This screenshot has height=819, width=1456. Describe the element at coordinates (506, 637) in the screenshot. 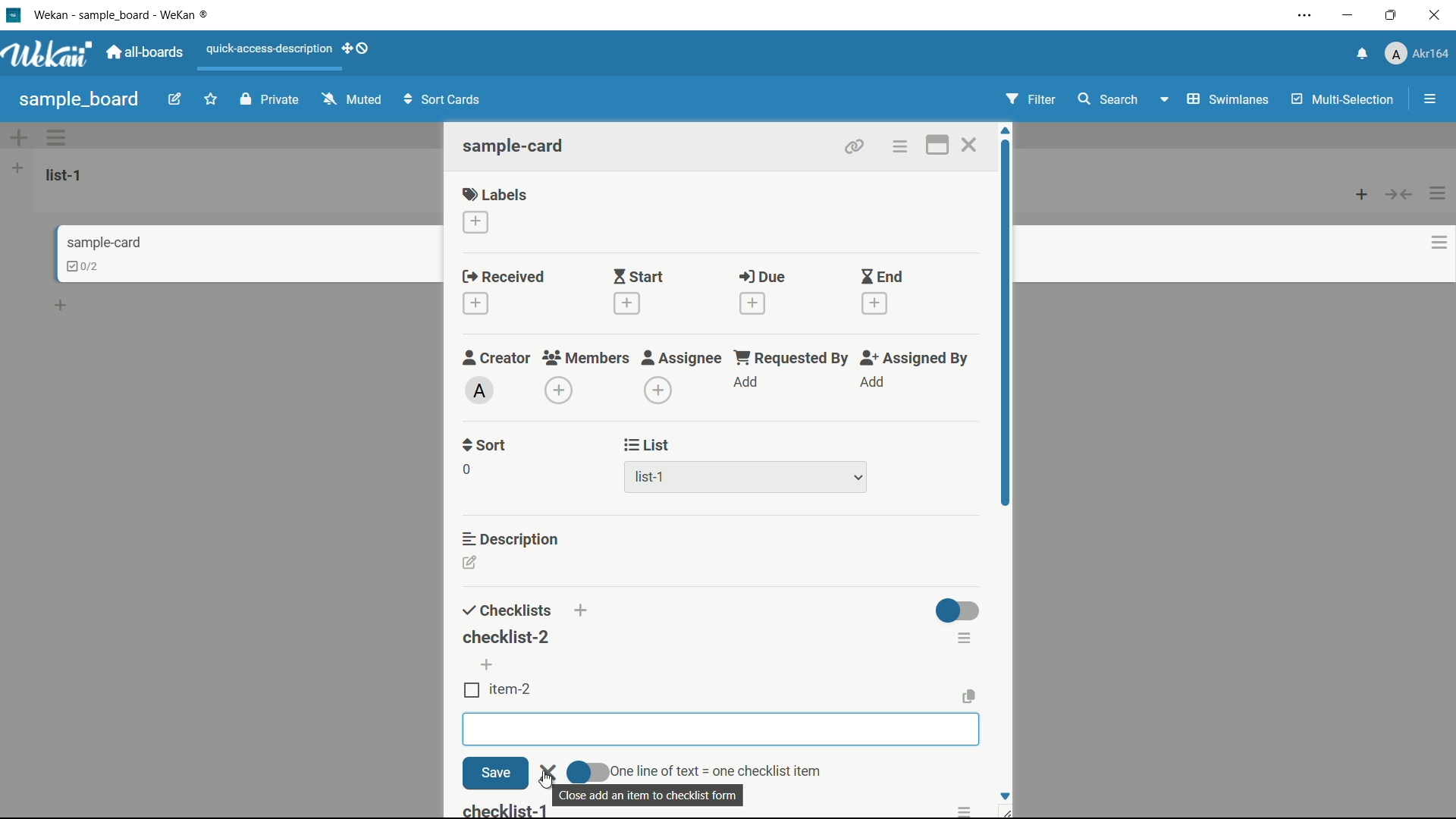

I see `checklist-2 added` at that location.